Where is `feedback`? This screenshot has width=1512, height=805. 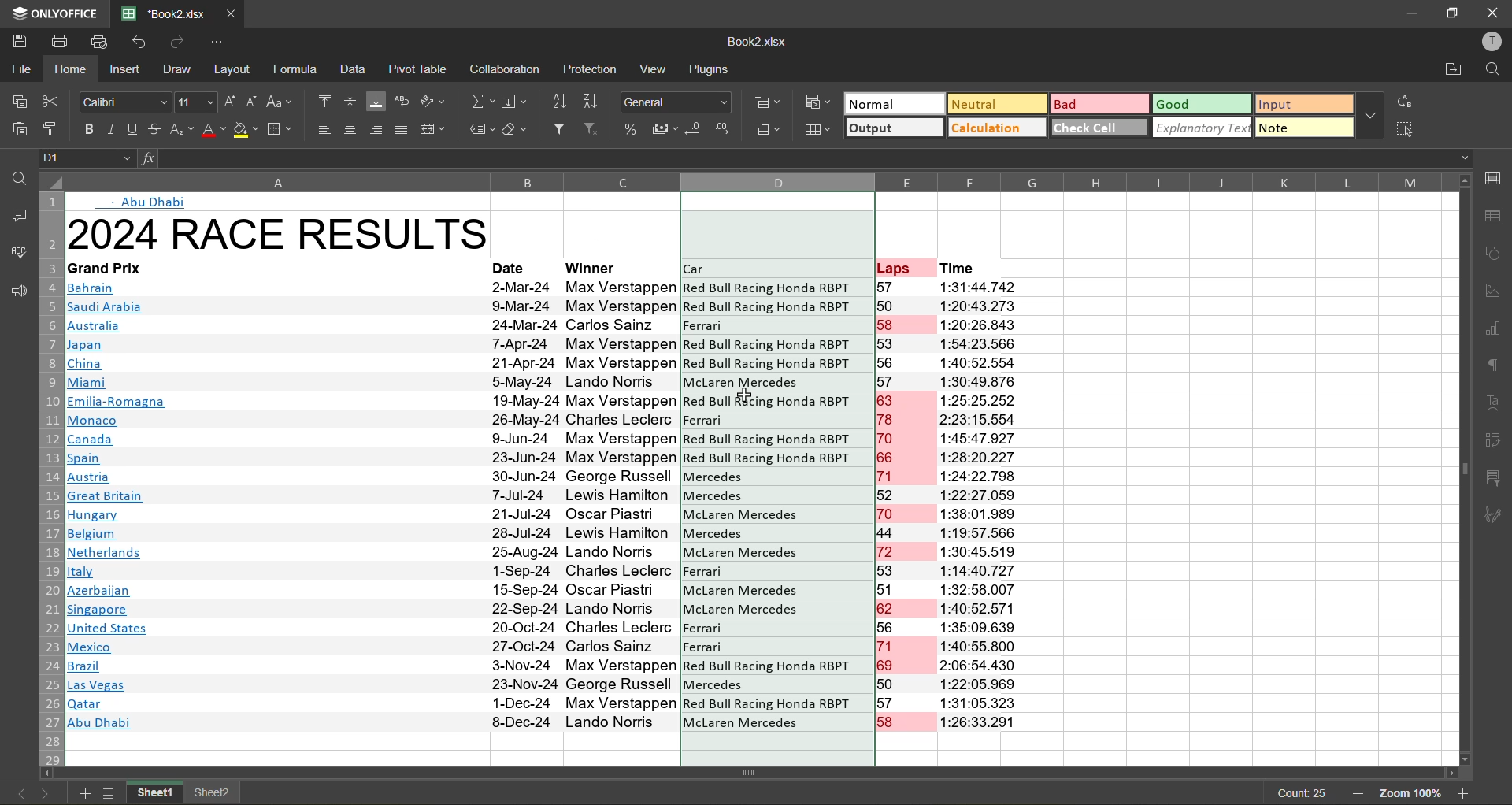
feedback is located at coordinates (15, 292).